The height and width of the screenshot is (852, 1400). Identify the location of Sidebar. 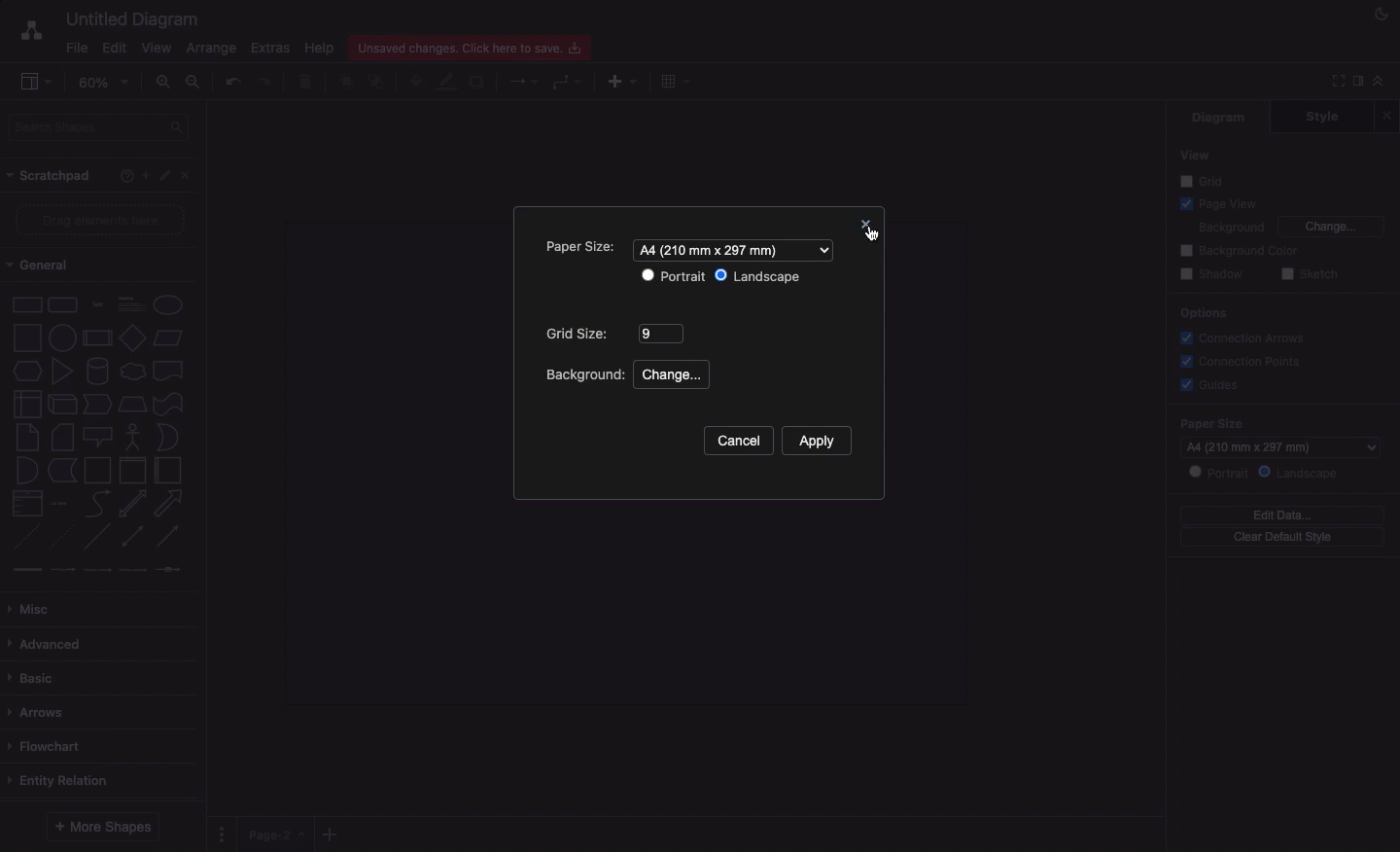
(1356, 83).